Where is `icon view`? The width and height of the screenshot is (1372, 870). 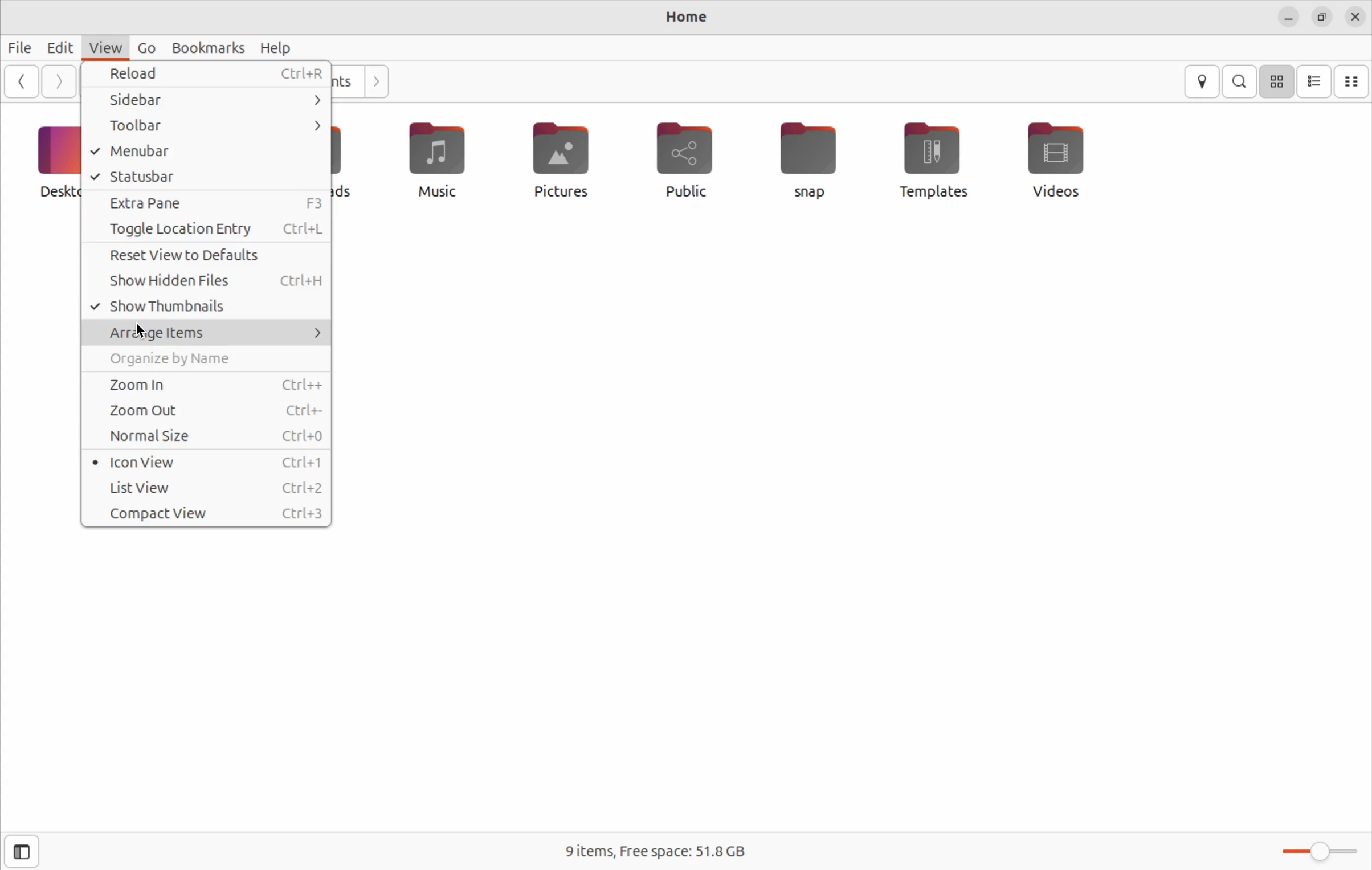 icon view is located at coordinates (1276, 83).